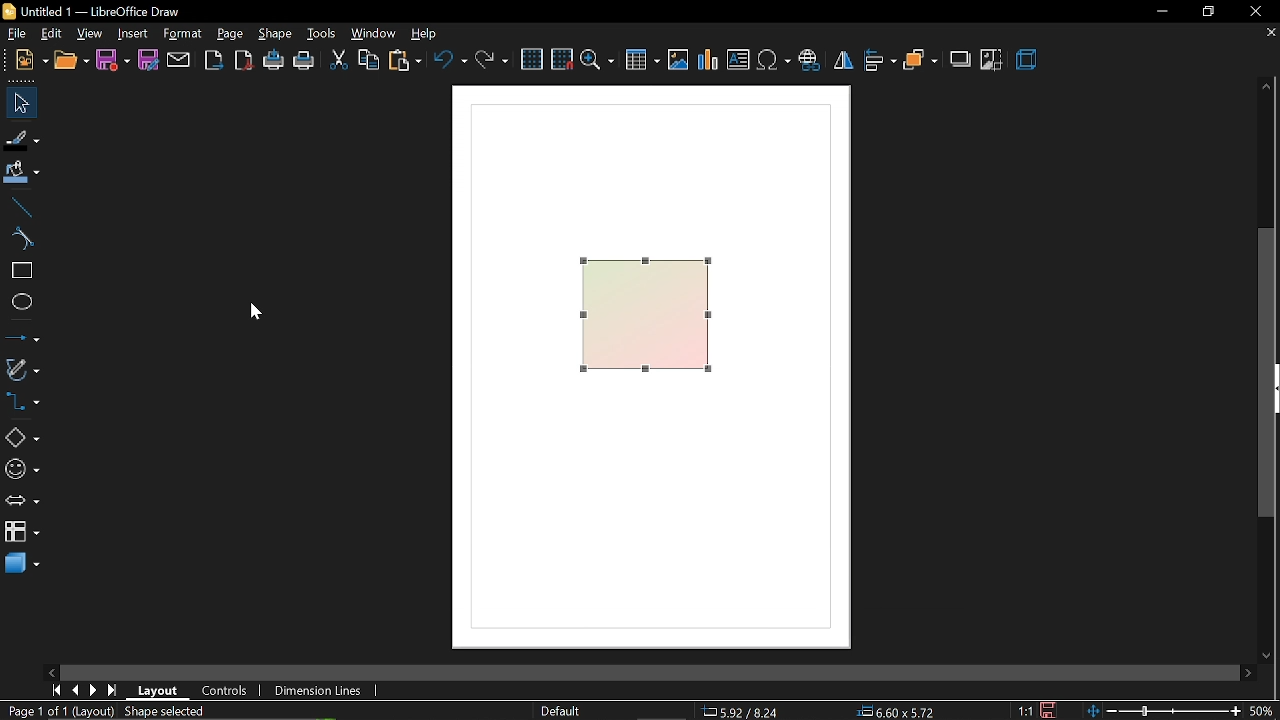 The height and width of the screenshot is (720, 1280). Describe the element at coordinates (100, 10) in the screenshot. I see `Untitled 1 - LibreOffice Draw` at that location.